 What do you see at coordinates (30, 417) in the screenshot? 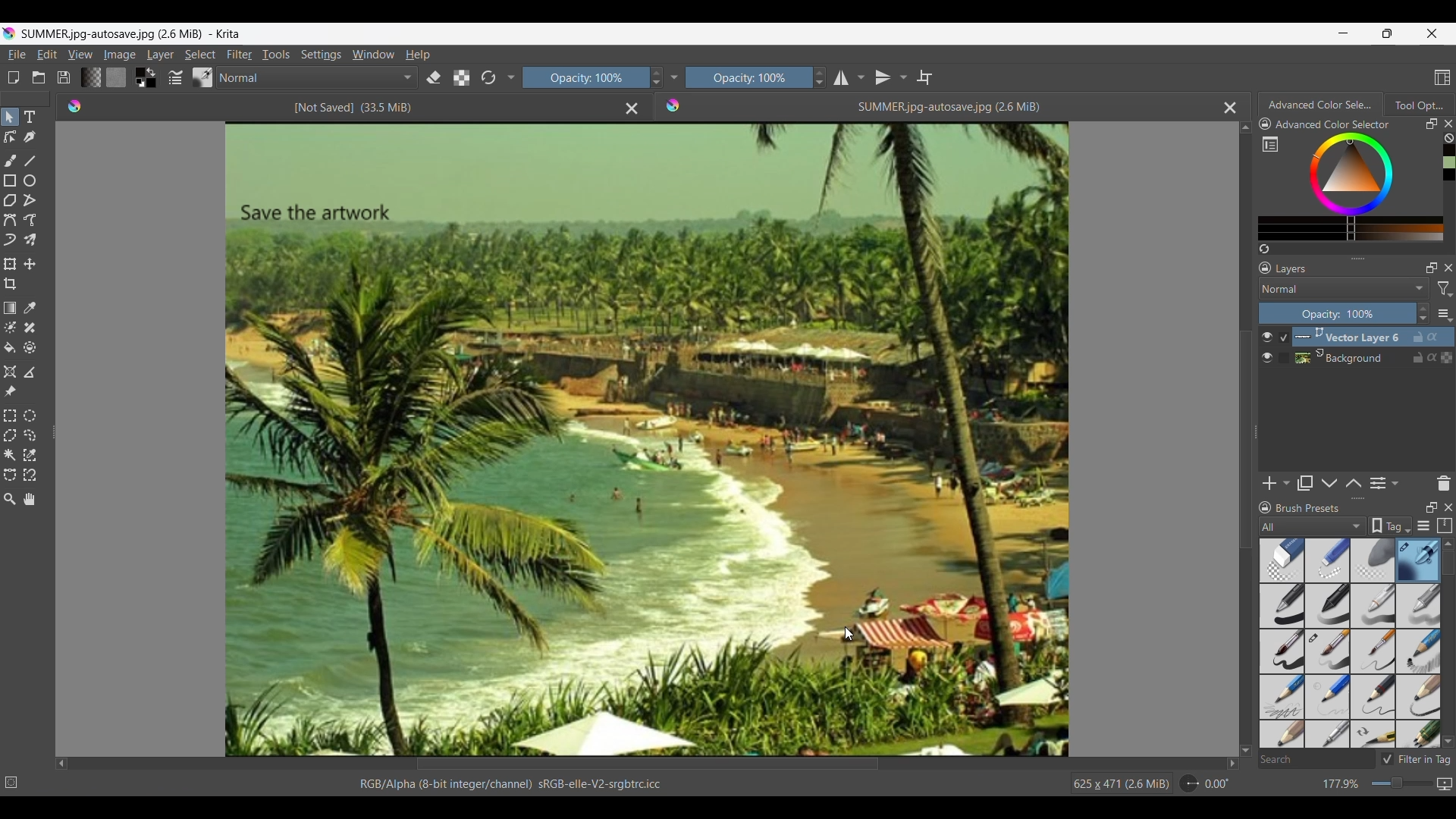
I see `Elliptical selection tool` at bounding box center [30, 417].